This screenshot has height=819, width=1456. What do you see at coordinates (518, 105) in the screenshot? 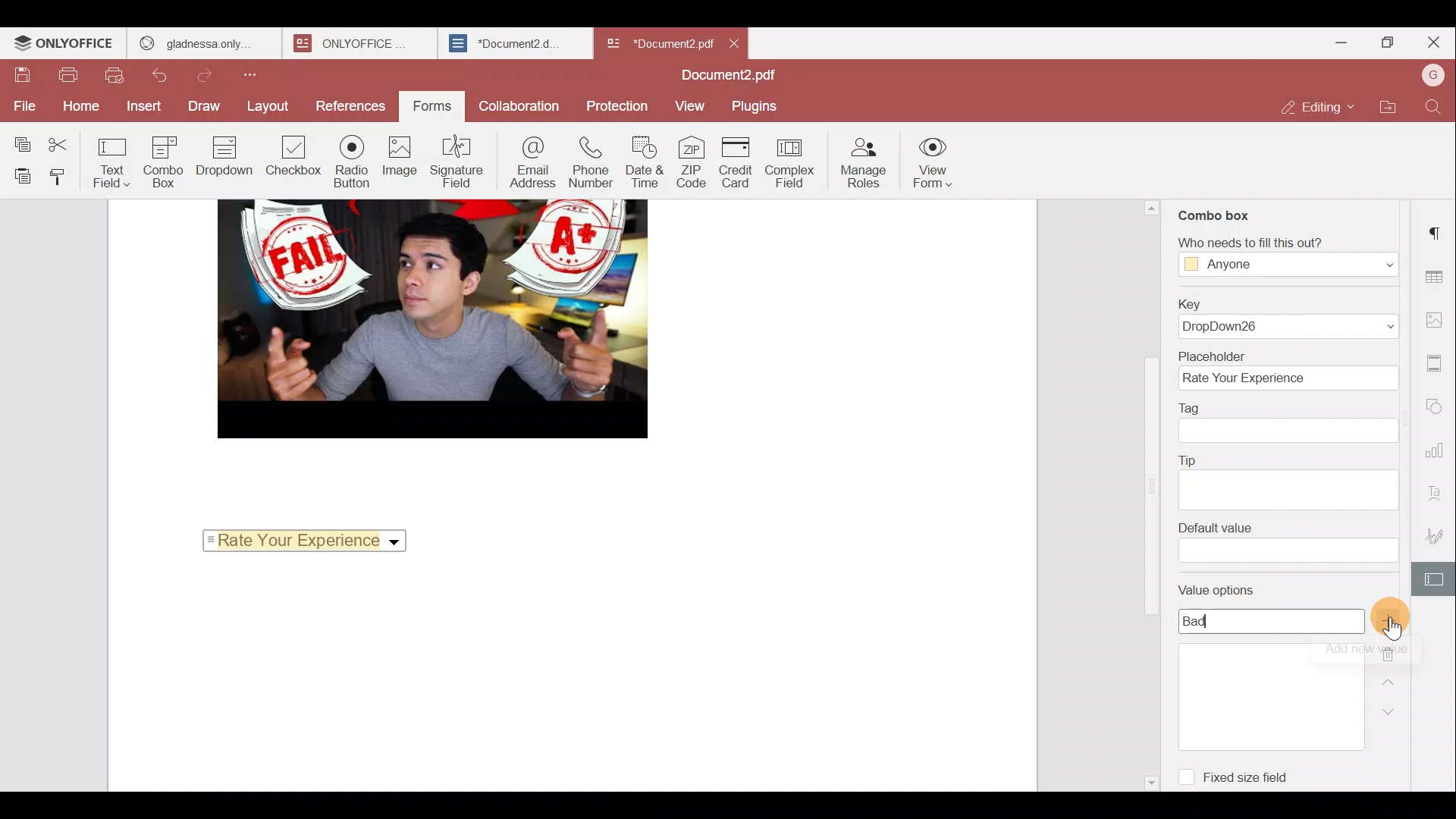
I see `Collaboration` at bounding box center [518, 105].